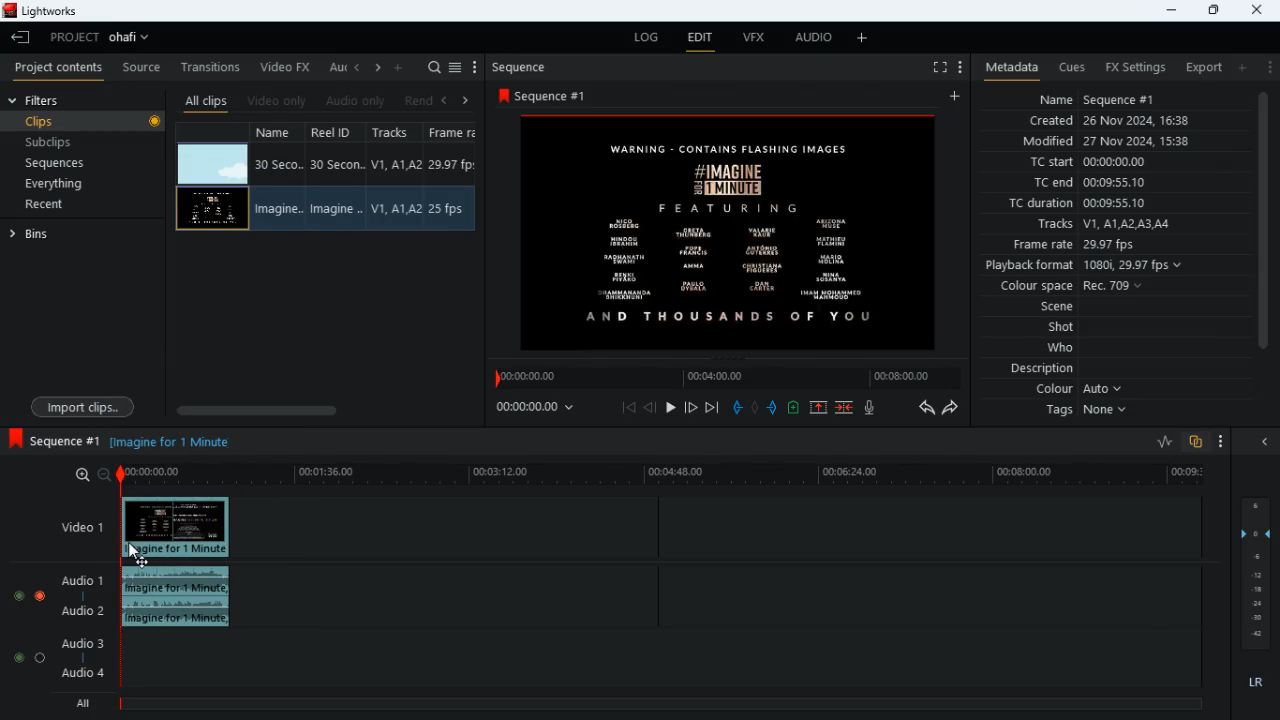 Image resolution: width=1280 pixels, height=720 pixels. Describe the element at coordinates (1073, 286) in the screenshot. I see `colour space` at that location.